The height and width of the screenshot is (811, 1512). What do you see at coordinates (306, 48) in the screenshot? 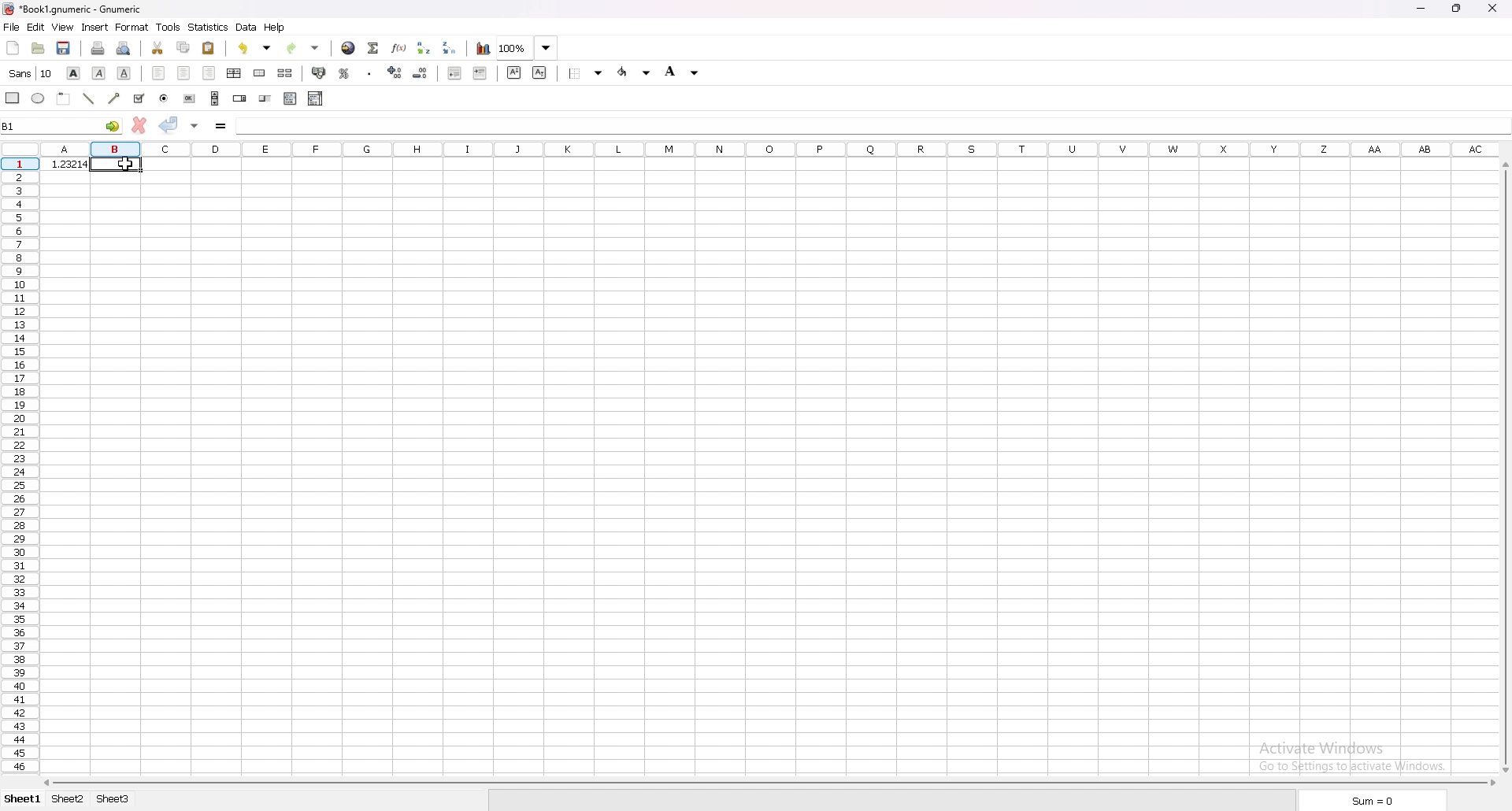
I see `redo` at bounding box center [306, 48].